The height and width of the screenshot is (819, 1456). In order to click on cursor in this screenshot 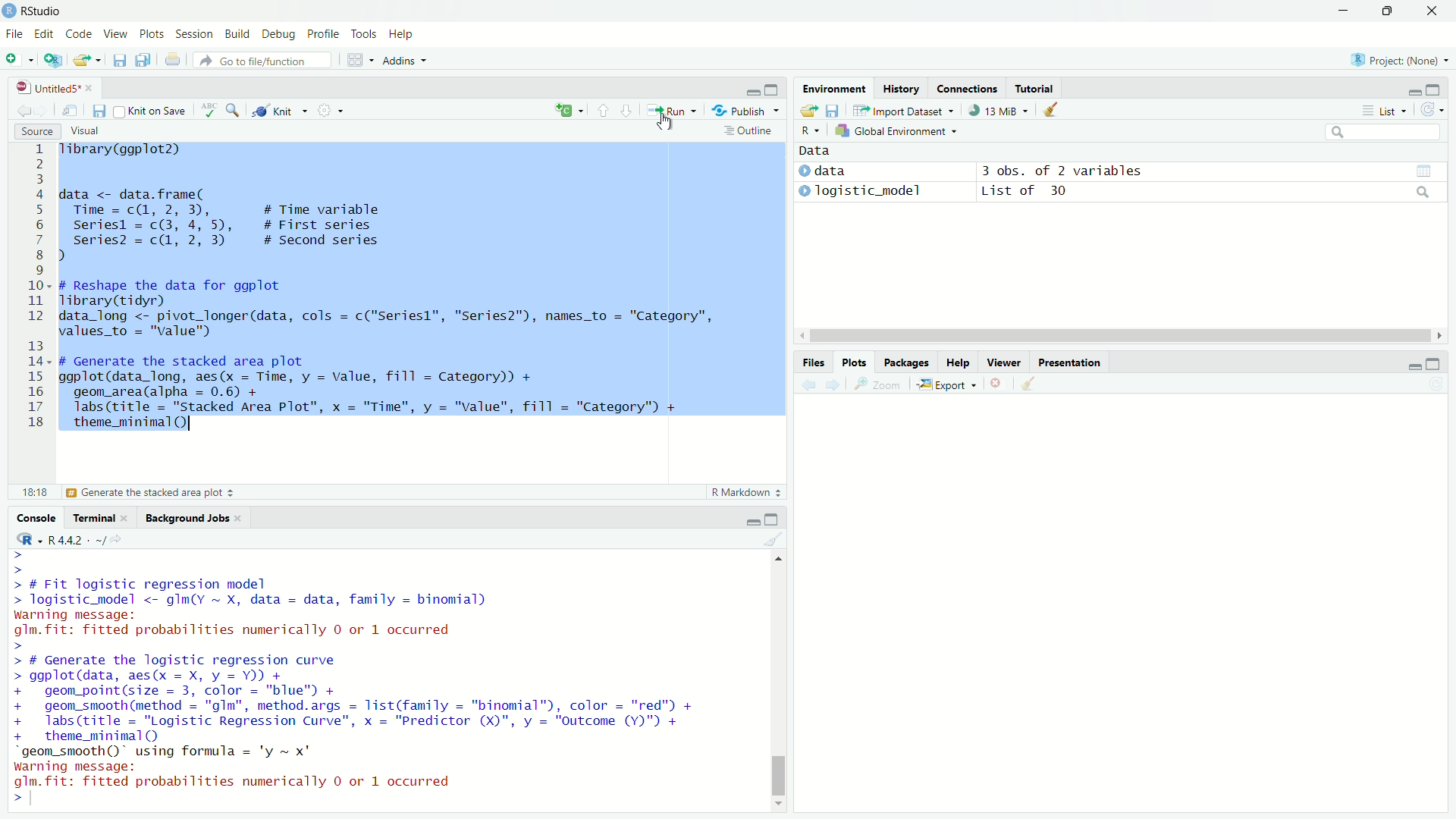, I will do `click(668, 124)`.